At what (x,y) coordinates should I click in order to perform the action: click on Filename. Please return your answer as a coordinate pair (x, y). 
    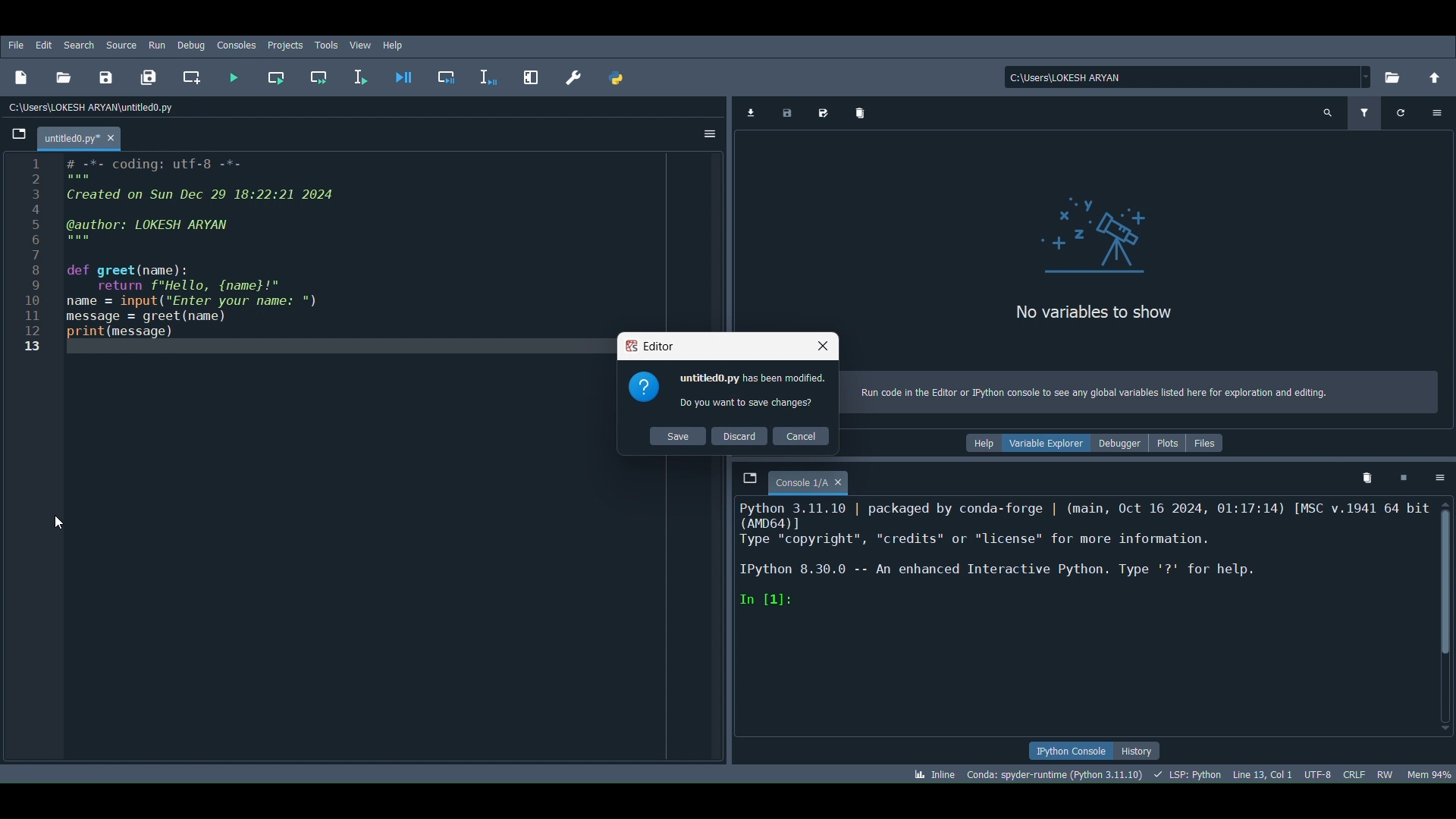
    Looking at the image, I should click on (87, 135).